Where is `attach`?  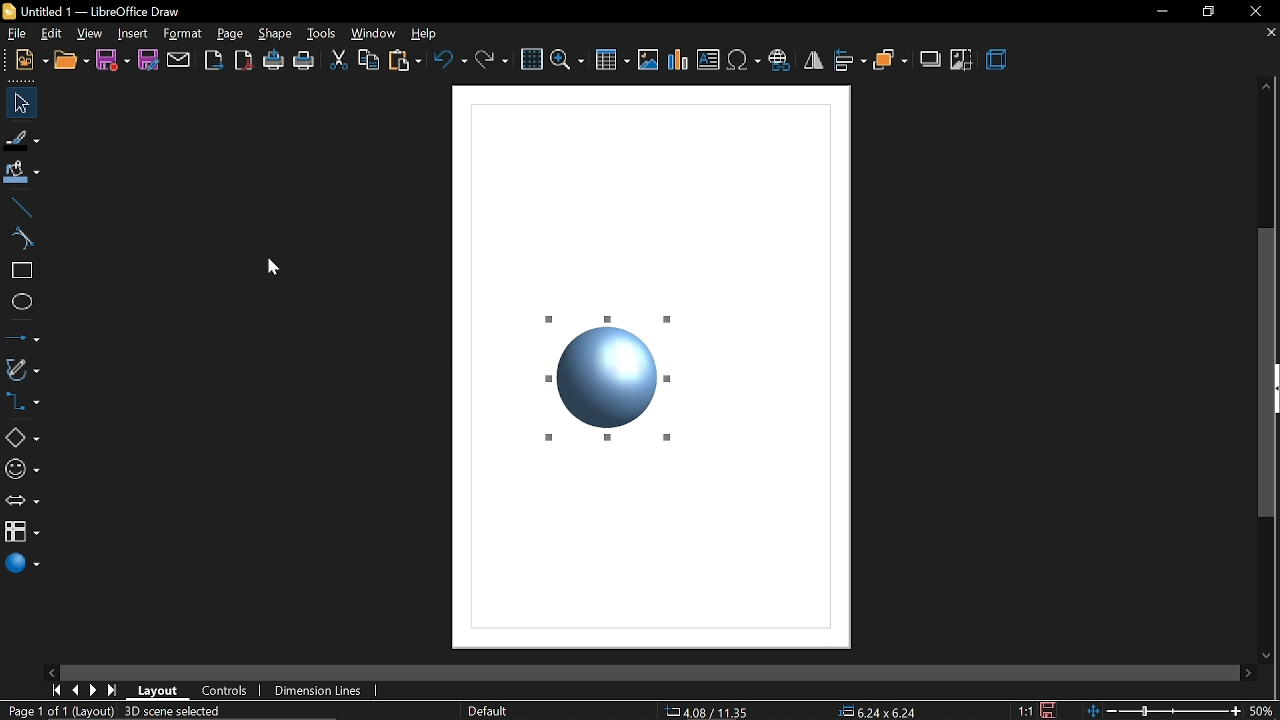
attach is located at coordinates (179, 61).